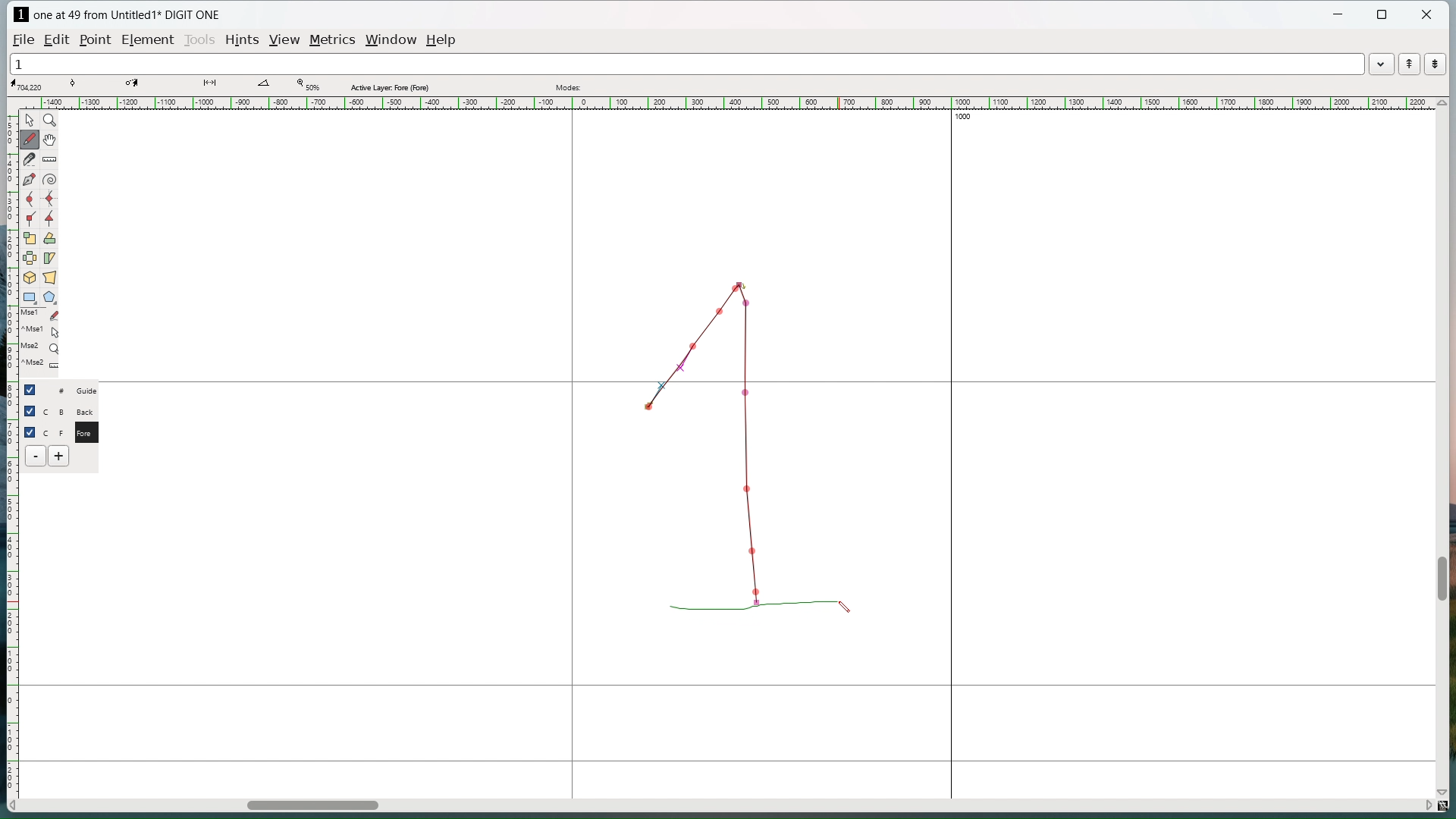 This screenshot has height=819, width=1456. I want to click on add a point then drag out its control points, so click(30, 179).